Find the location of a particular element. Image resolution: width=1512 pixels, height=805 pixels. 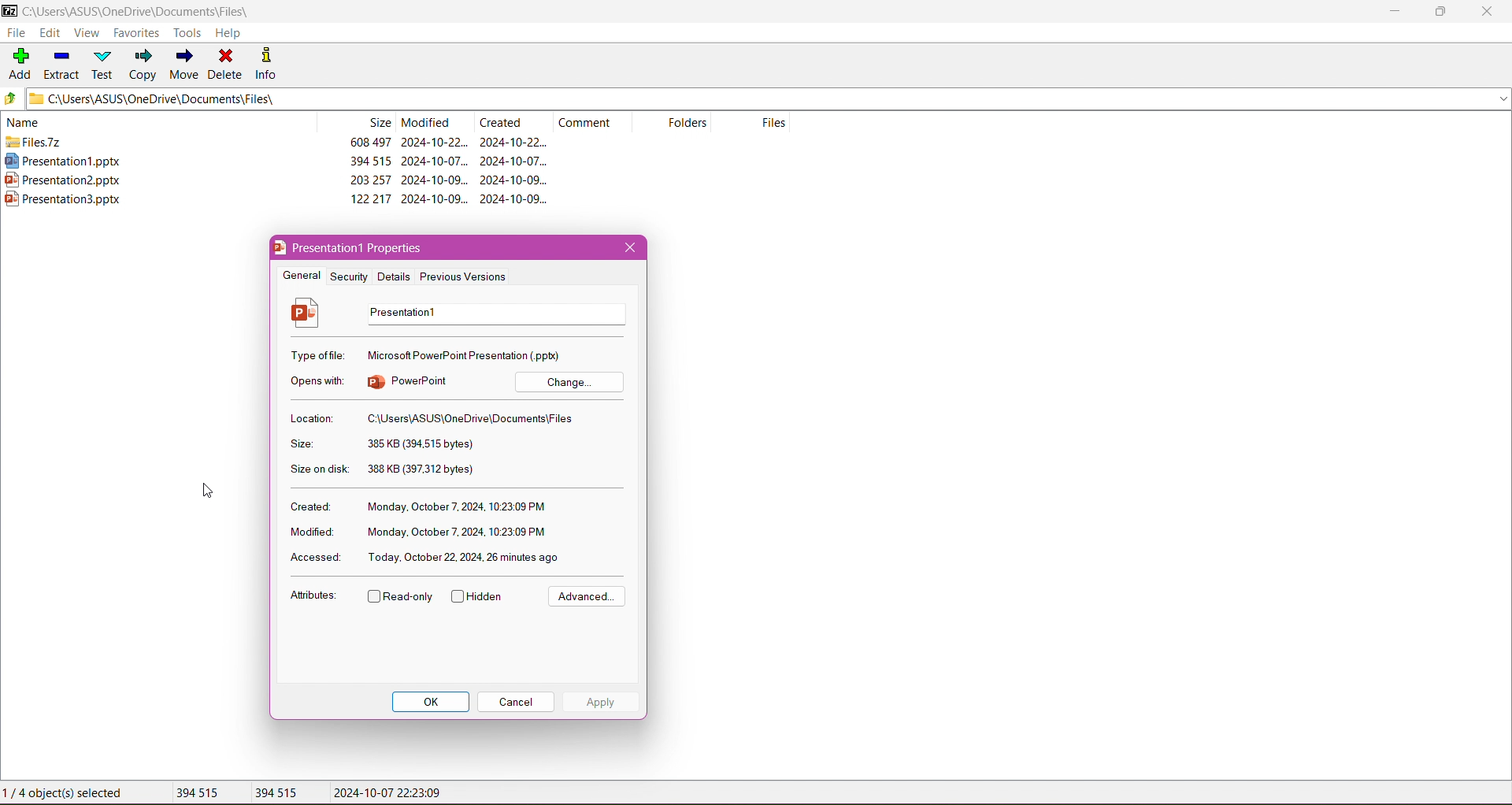

Modified: is located at coordinates (309, 534).